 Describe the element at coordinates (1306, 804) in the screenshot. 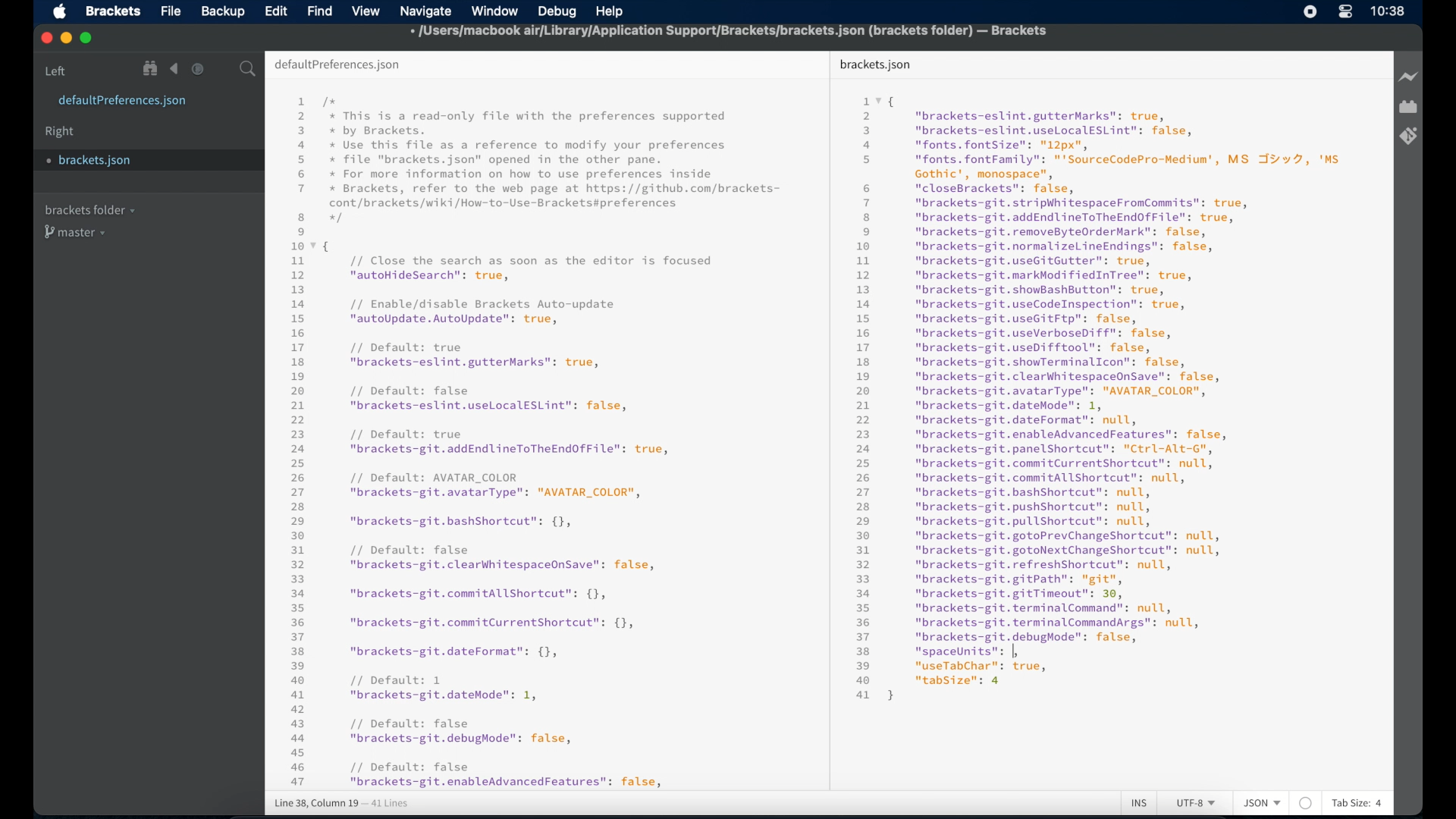

I see `no linter available for json` at that location.